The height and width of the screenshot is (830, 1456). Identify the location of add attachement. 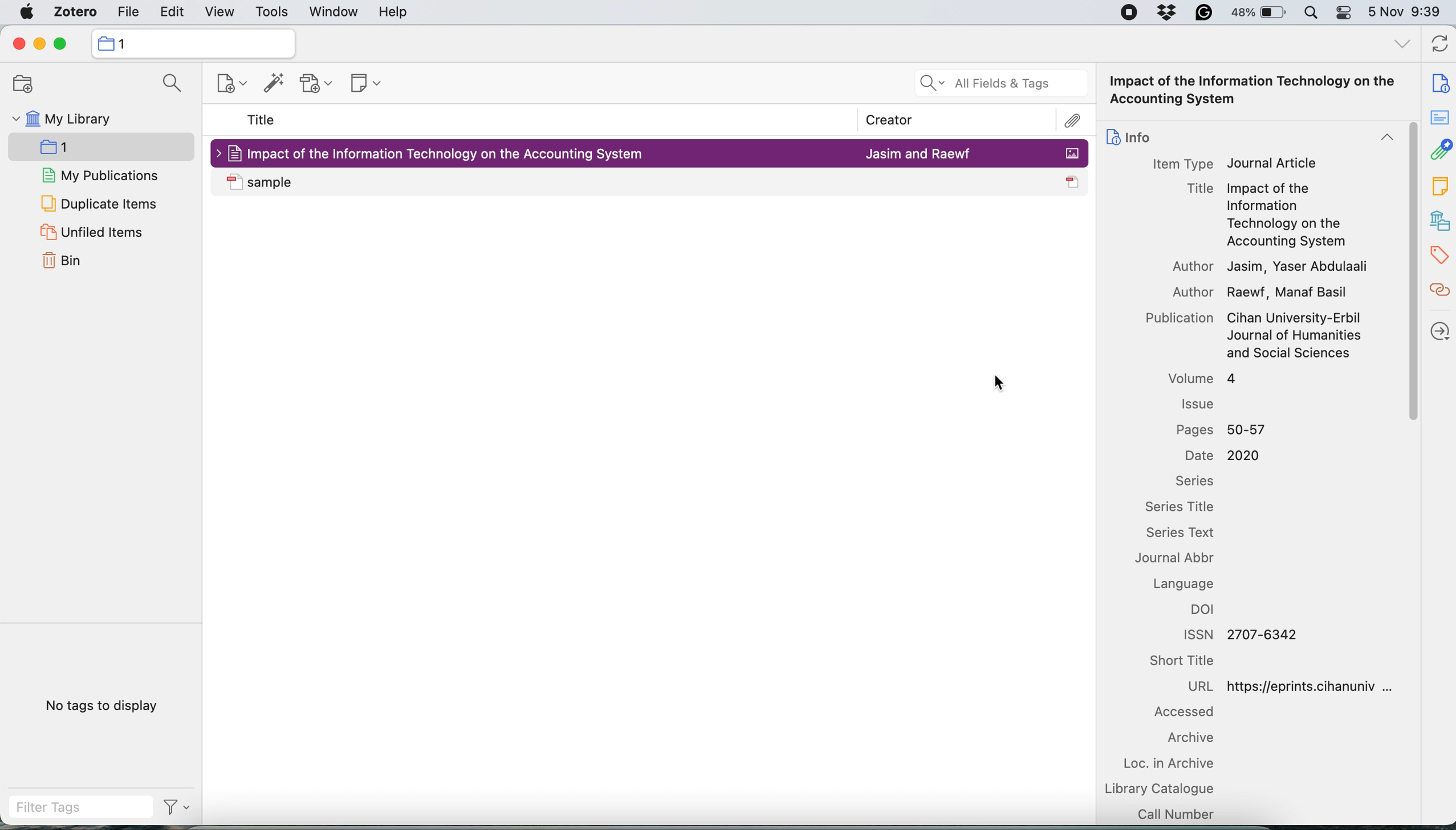
(318, 83).